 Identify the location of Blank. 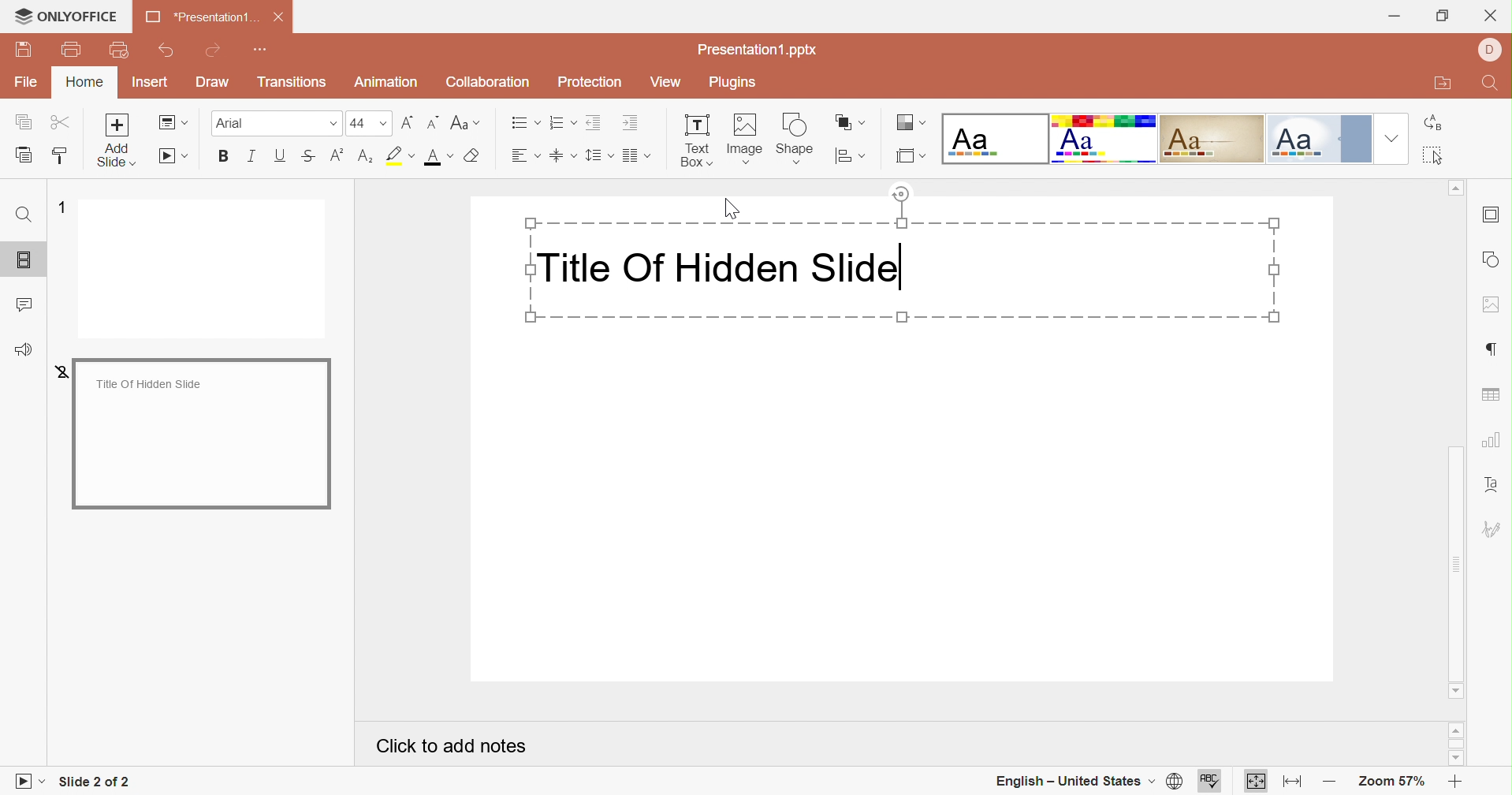
(994, 138).